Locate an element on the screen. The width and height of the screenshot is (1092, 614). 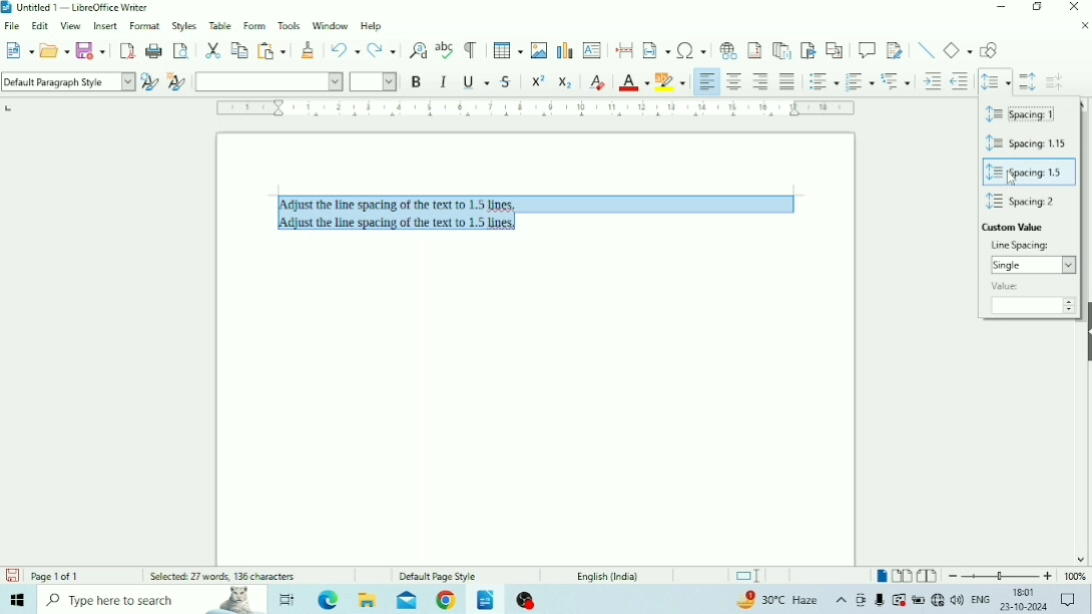
Check Spelling is located at coordinates (445, 50).